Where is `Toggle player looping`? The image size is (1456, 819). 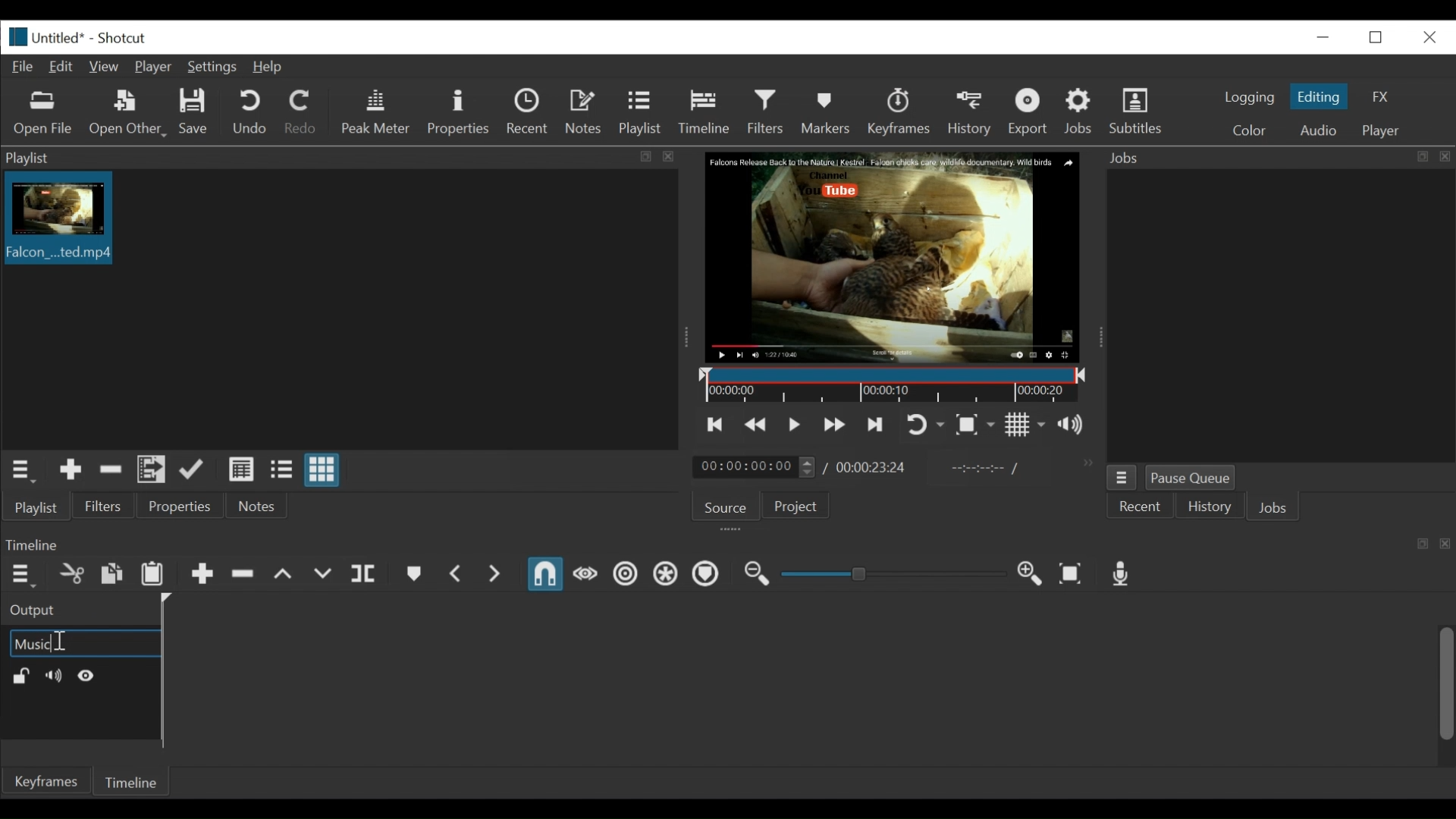 Toggle player looping is located at coordinates (879, 425).